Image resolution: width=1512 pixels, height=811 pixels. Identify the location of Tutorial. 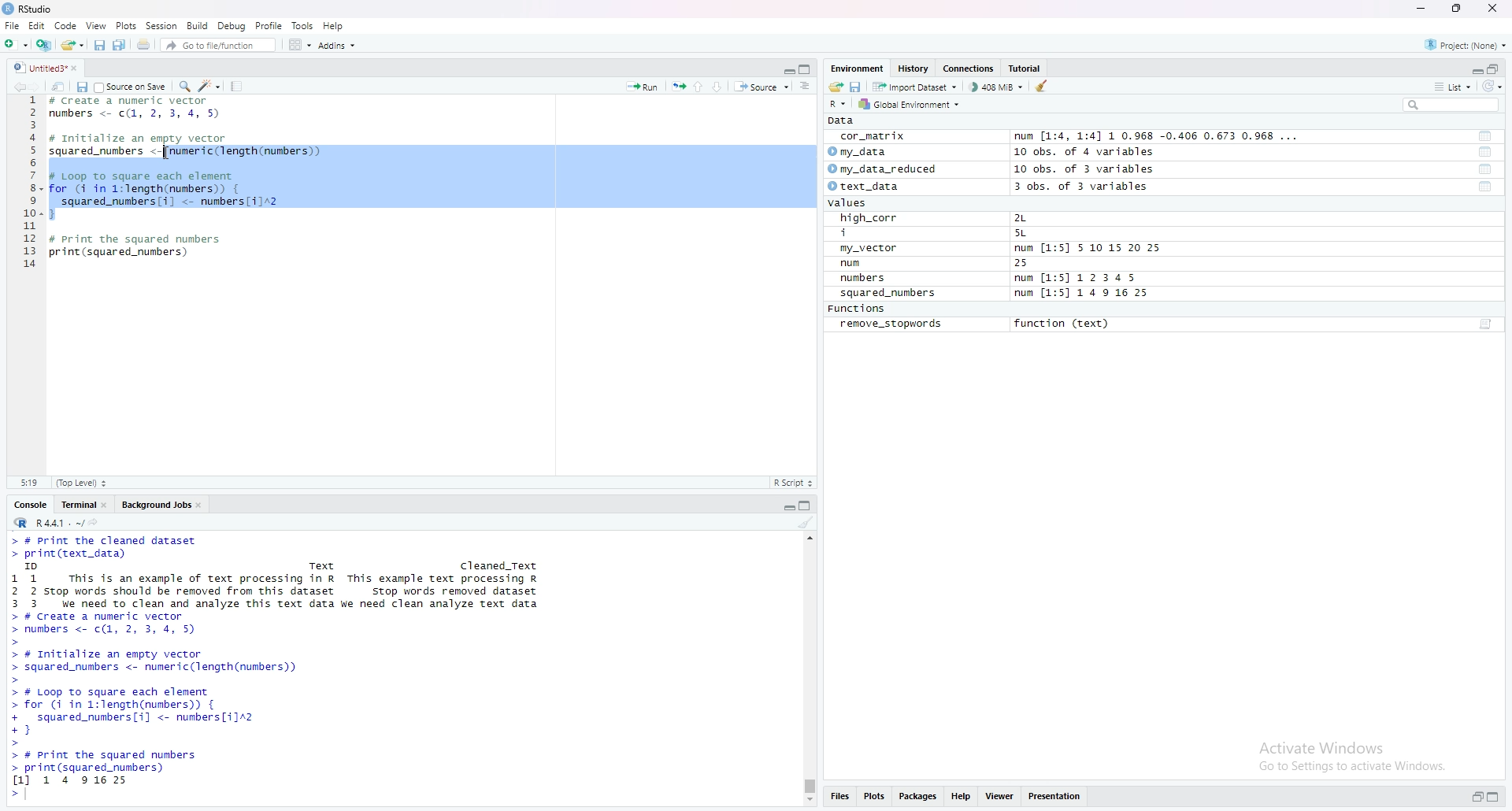
(1028, 69).